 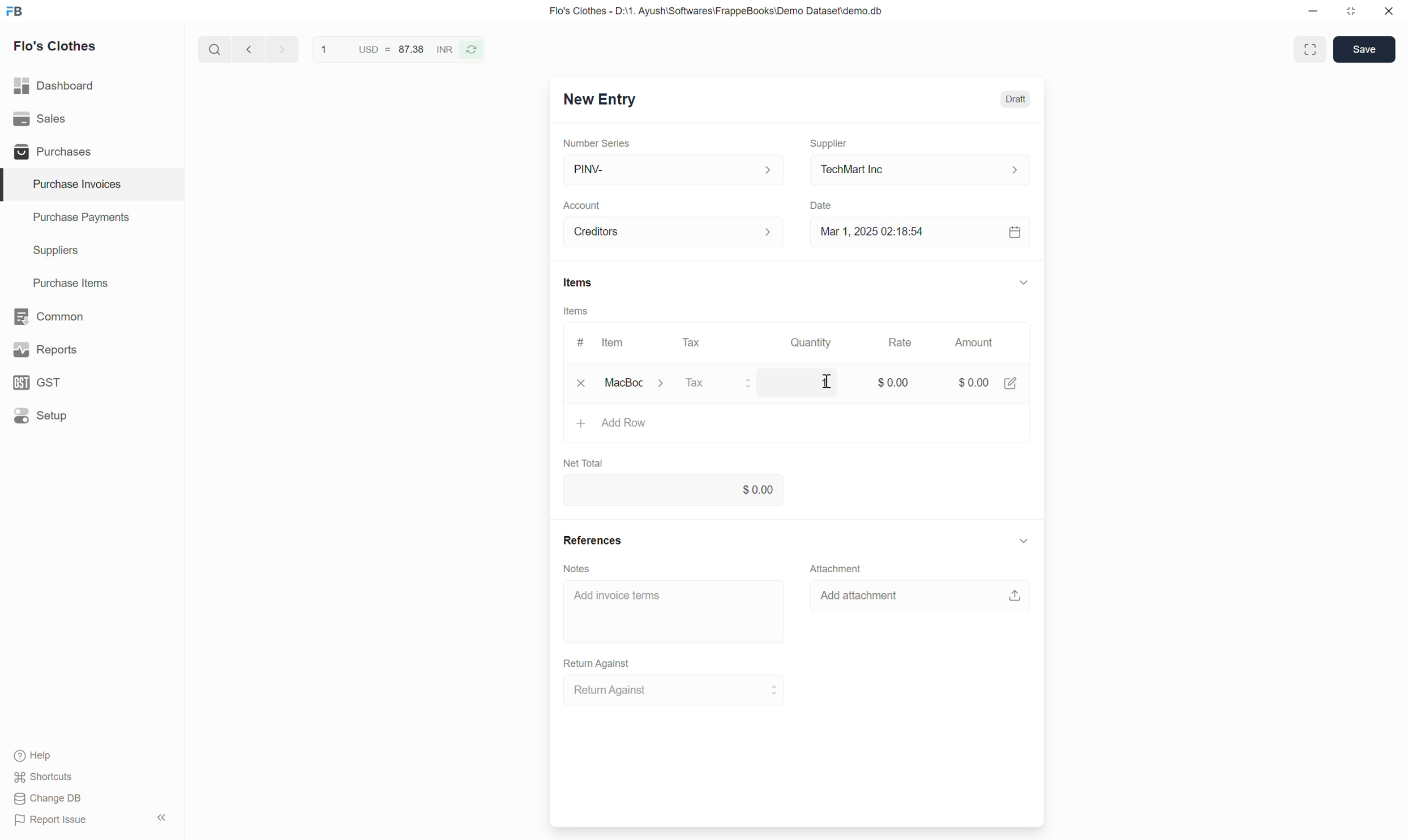 What do you see at coordinates (1364, 49) in the screenshot?
I see `Save` at bounding box center [1364, 49].